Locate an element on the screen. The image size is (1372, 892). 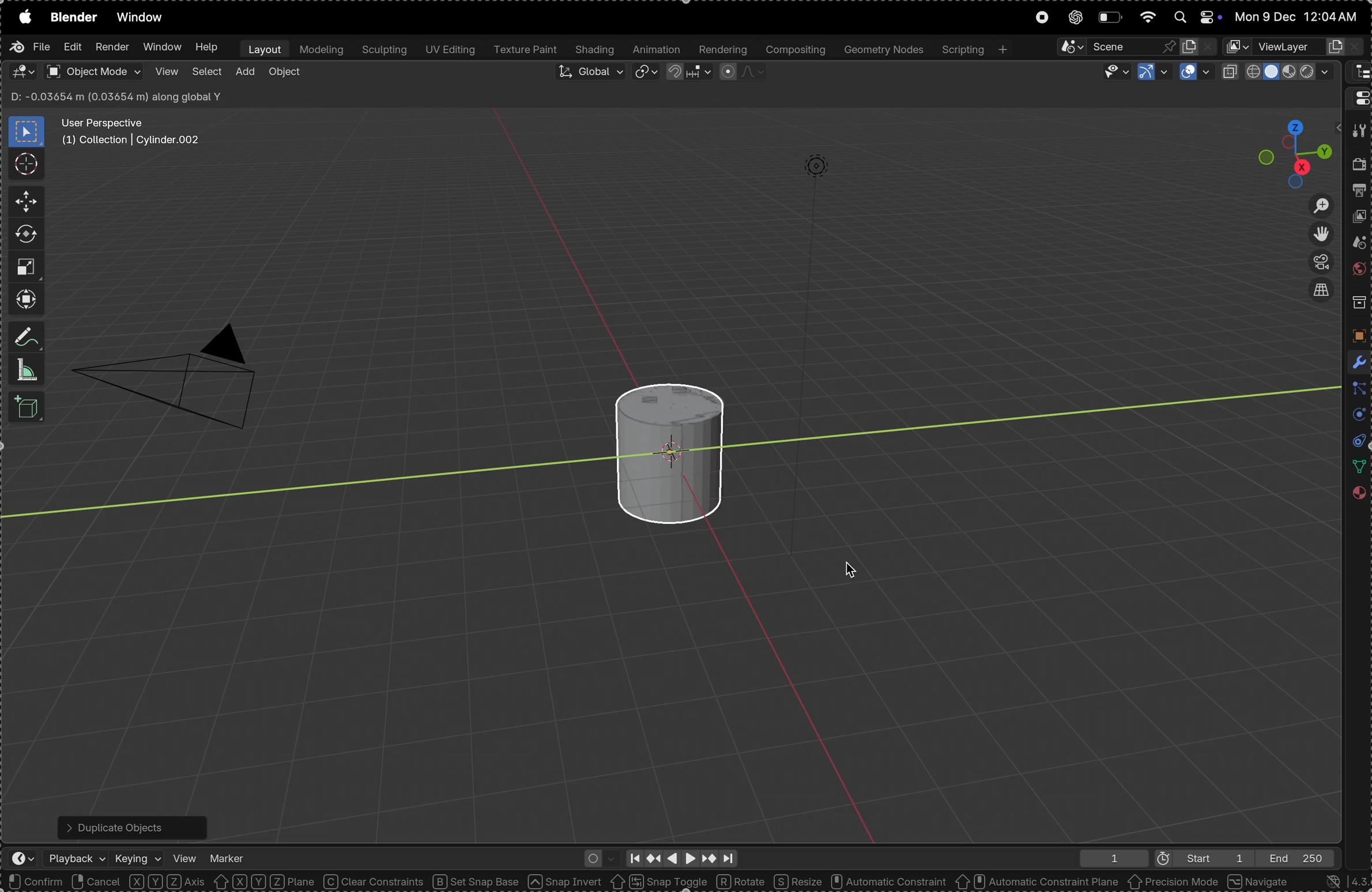
snap invert is located at coordinates (566, 882).